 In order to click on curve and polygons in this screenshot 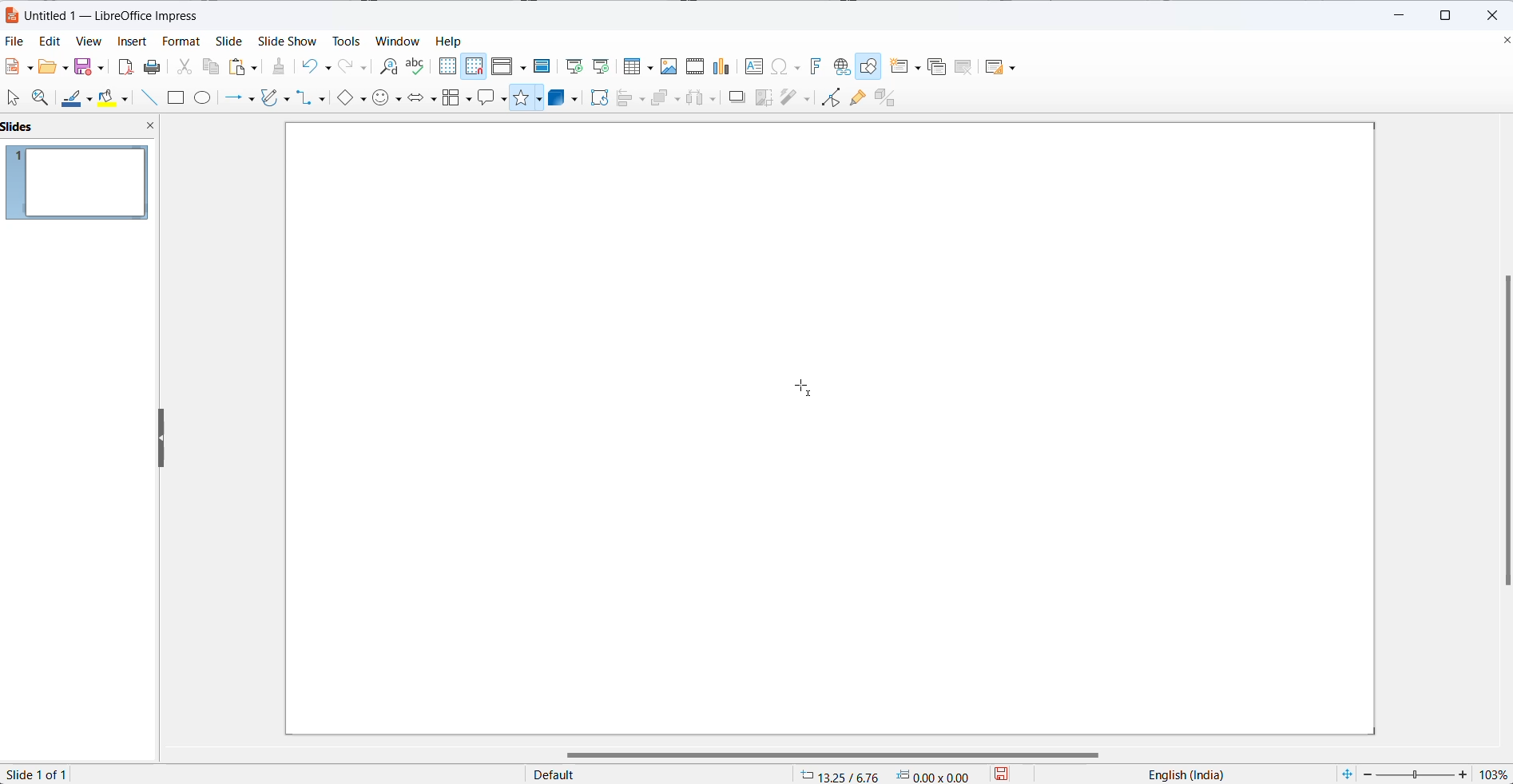, I will do `click(276, 100)`.